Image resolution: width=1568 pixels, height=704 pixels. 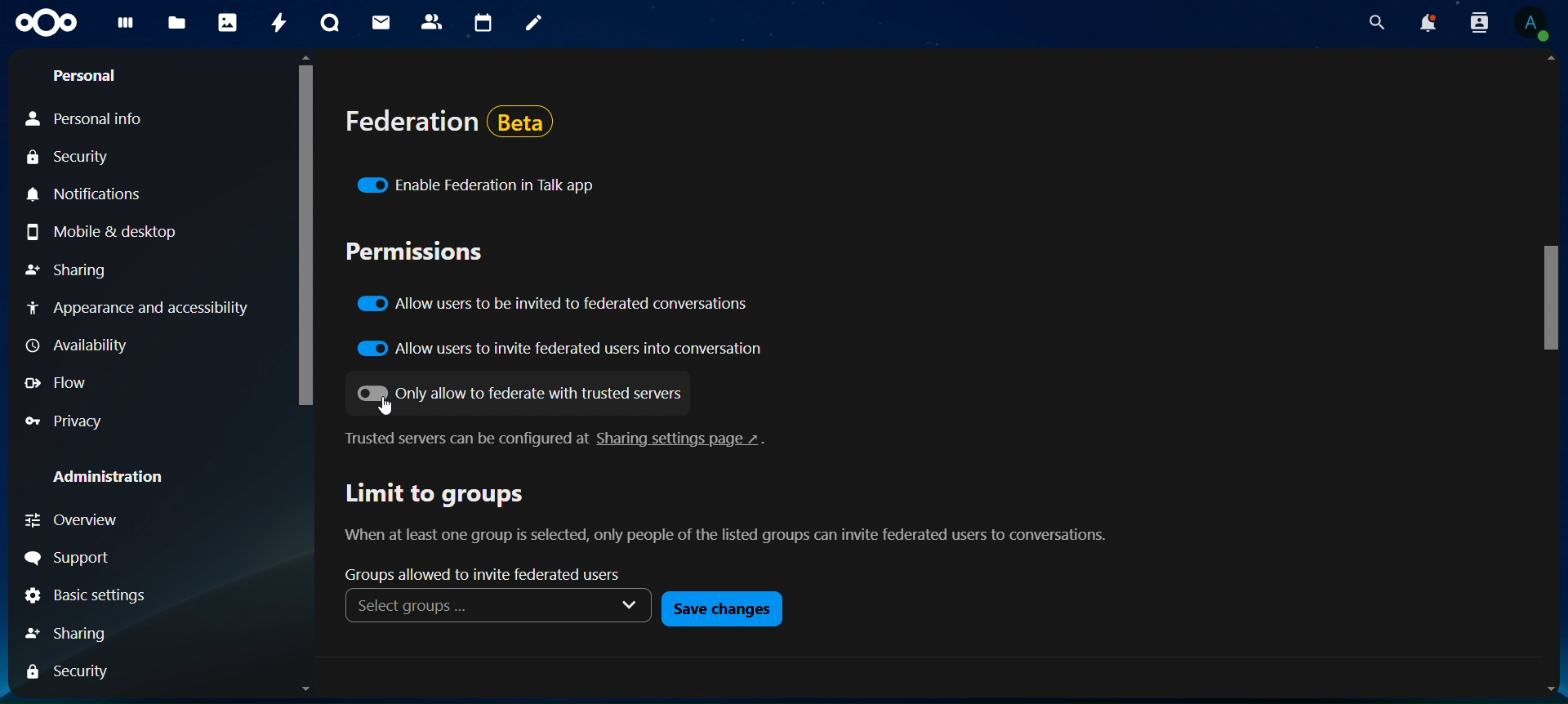 What do you see at coordinates (82, 75) in the screenshot?
I see `Personal` at bounding box center [82, 75].